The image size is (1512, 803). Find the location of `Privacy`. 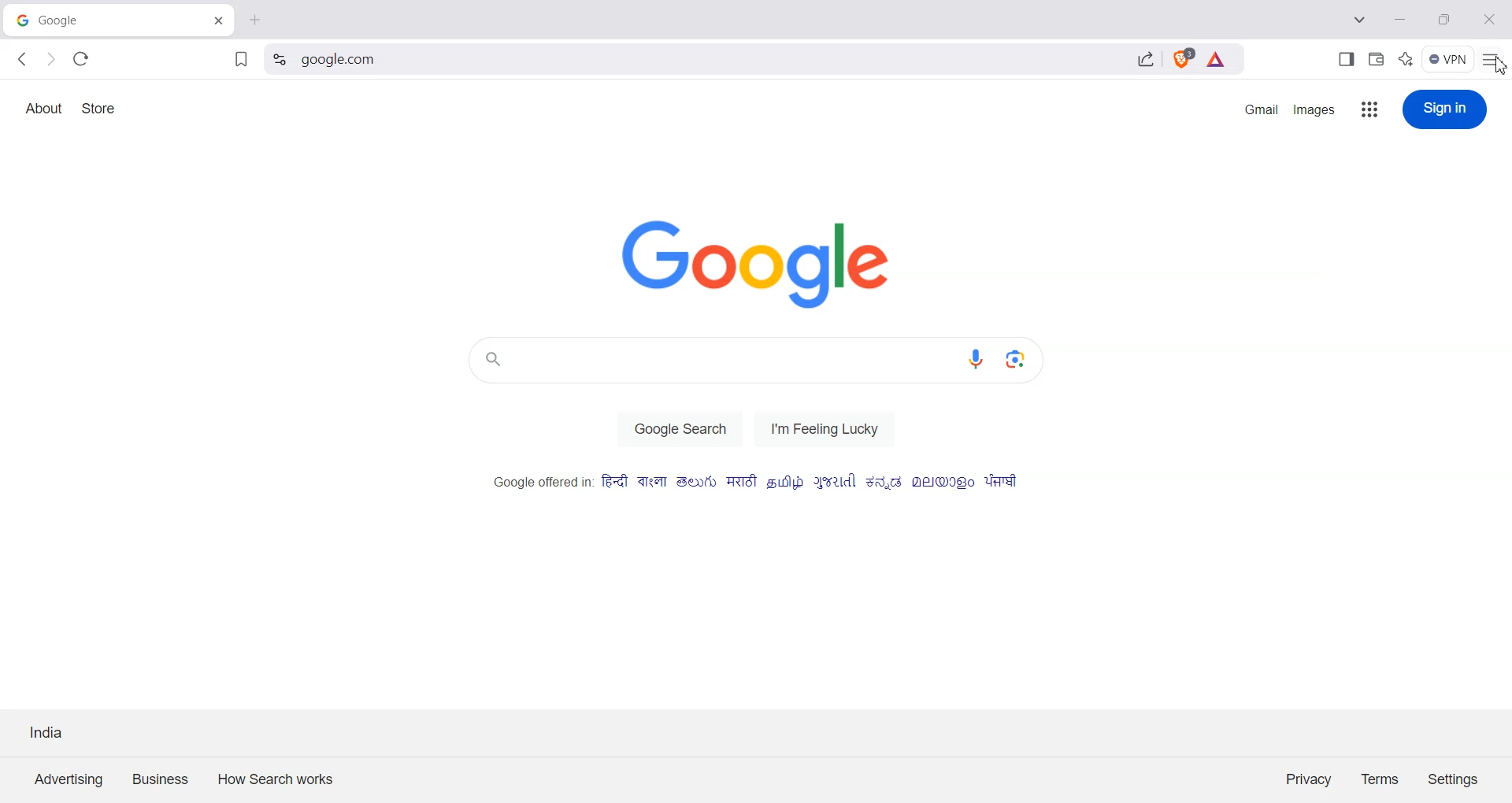

Privacy is located at coordinates (1309, 778).